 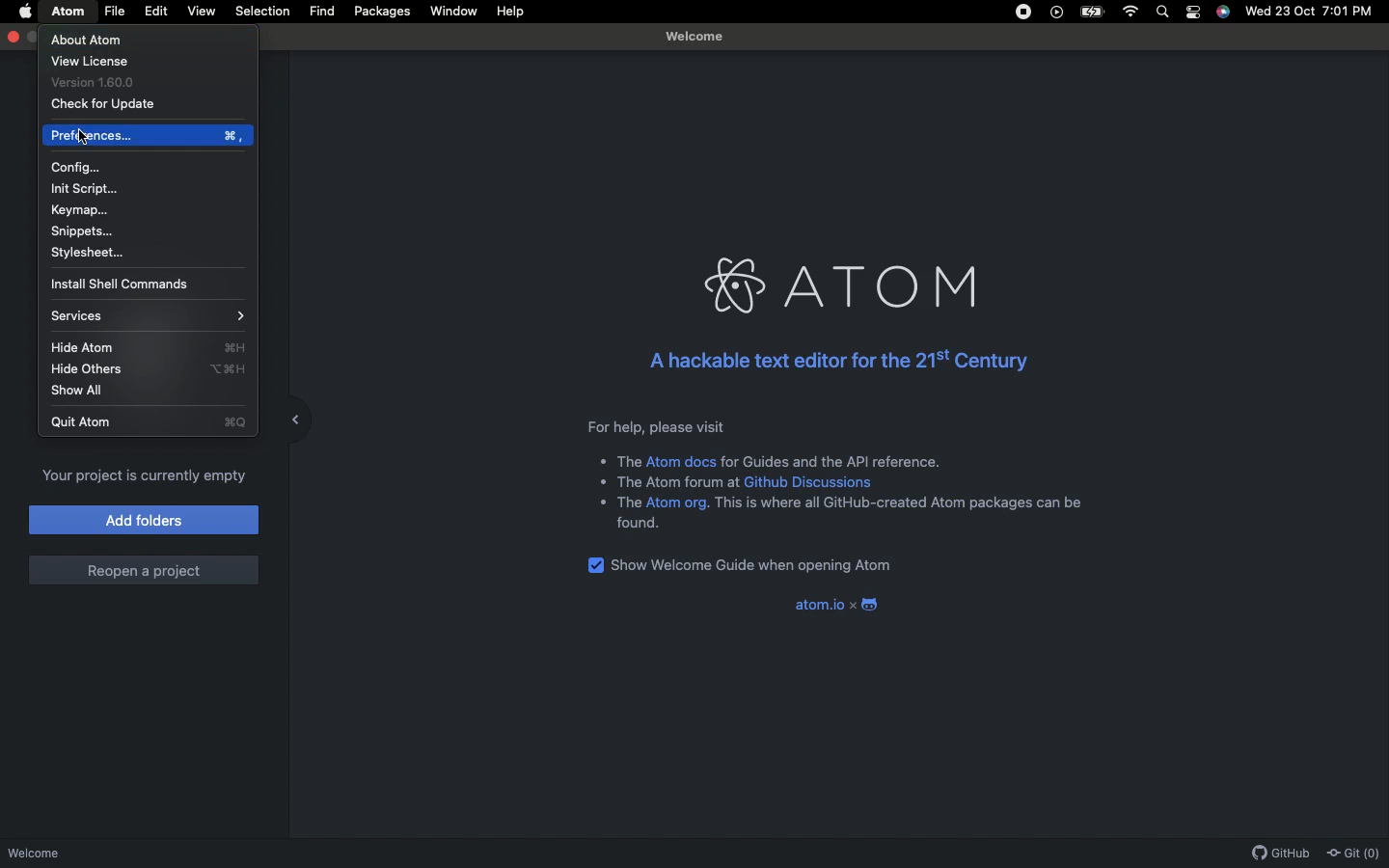 What do you see at coordinates (199, 12) in the screenshot?
I see `View` at bounding box center [199, 12].